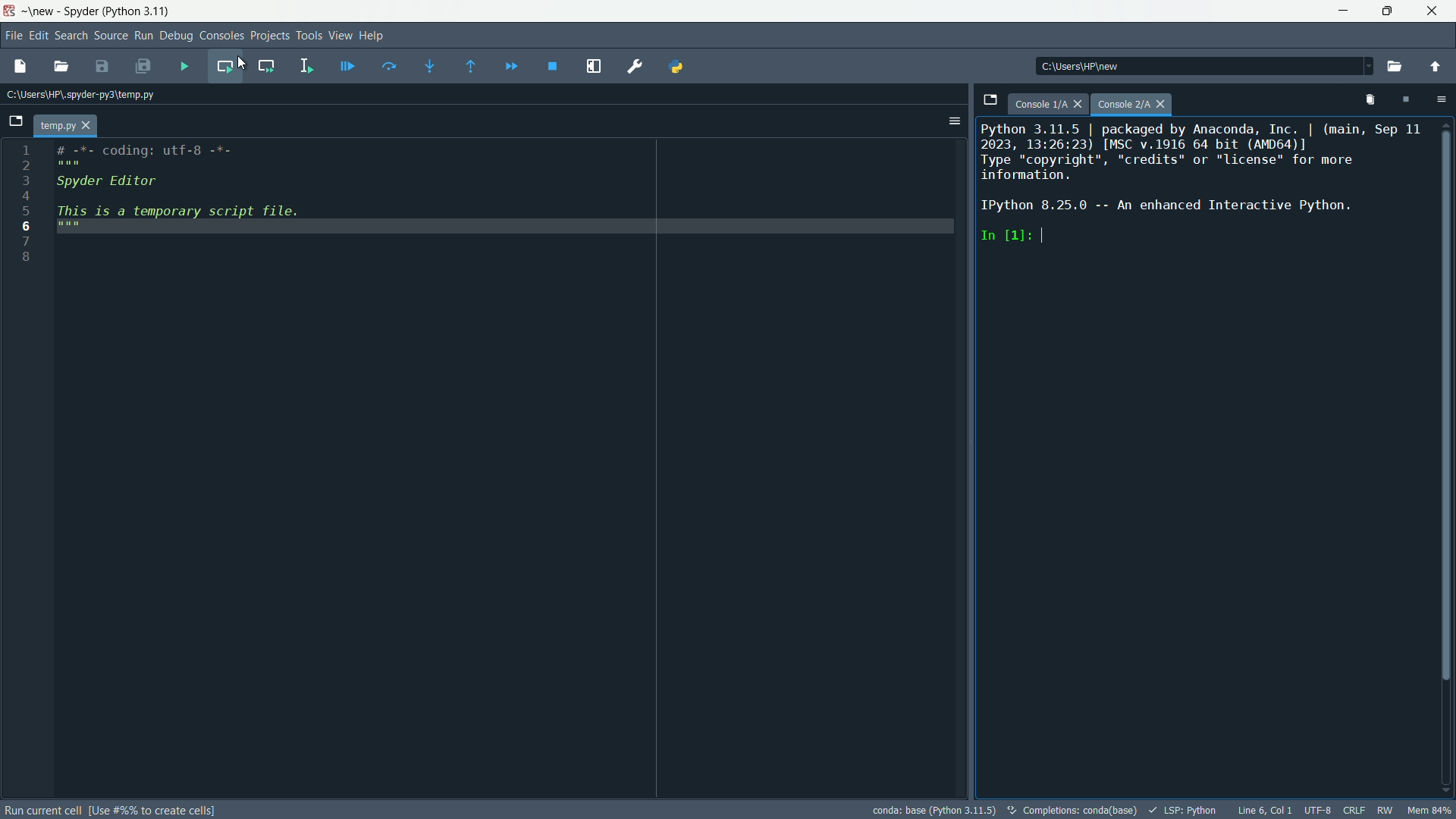 The image size is (1456, 819). Describe the element at coordinates (1407, 99) in the screenshot. I see `interrupt kernal` at that location.